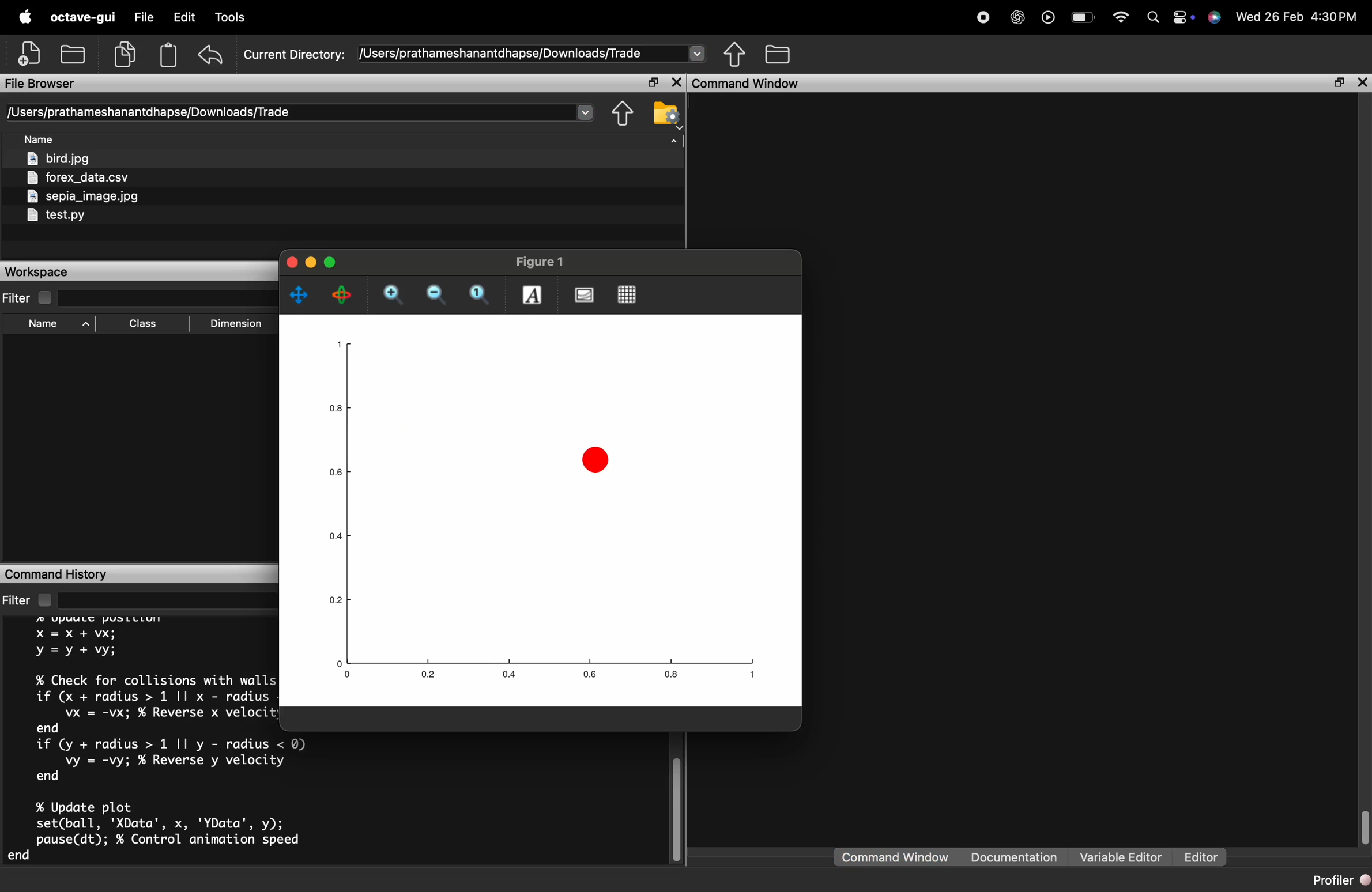  Describe the element at coordinates (628, 295) in the screenshot. I see `Toggle current axes grid visibility` at that location.